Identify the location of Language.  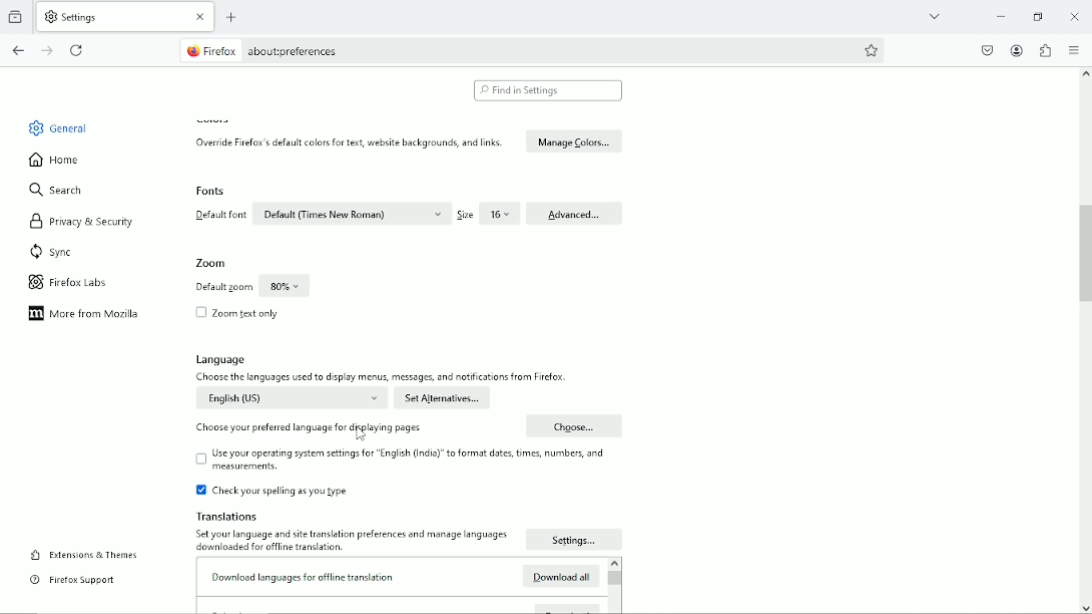
(226, 360).